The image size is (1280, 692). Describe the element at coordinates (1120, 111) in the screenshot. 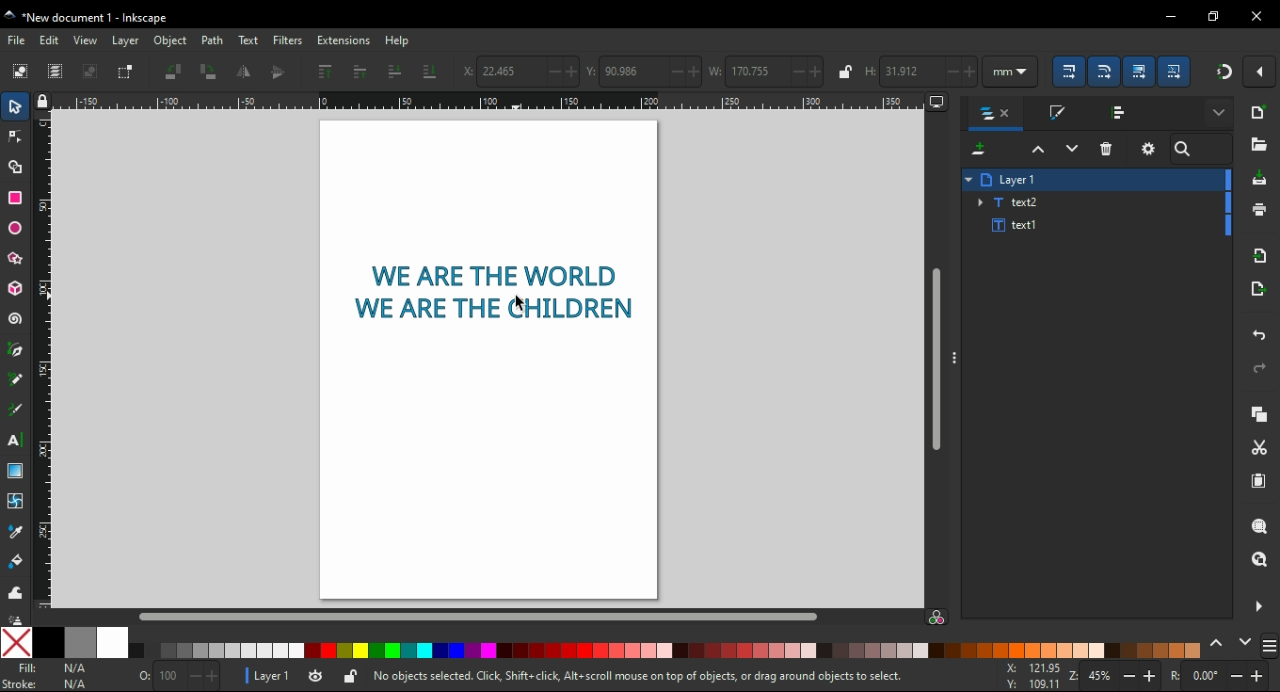

I see `align and distribute` at that location.